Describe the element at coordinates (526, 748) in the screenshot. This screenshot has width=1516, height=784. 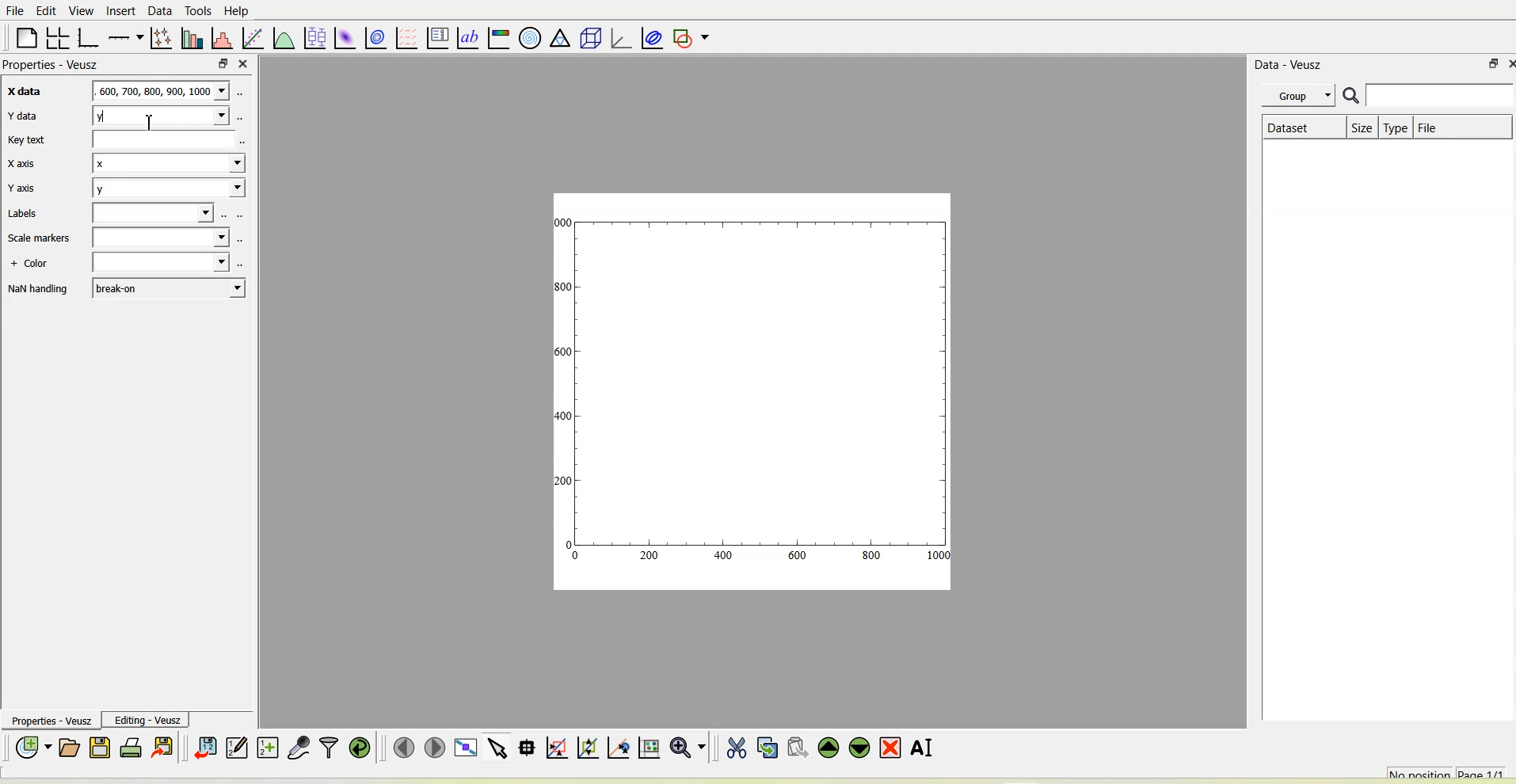
I see `Read data points on the graph` at that location.